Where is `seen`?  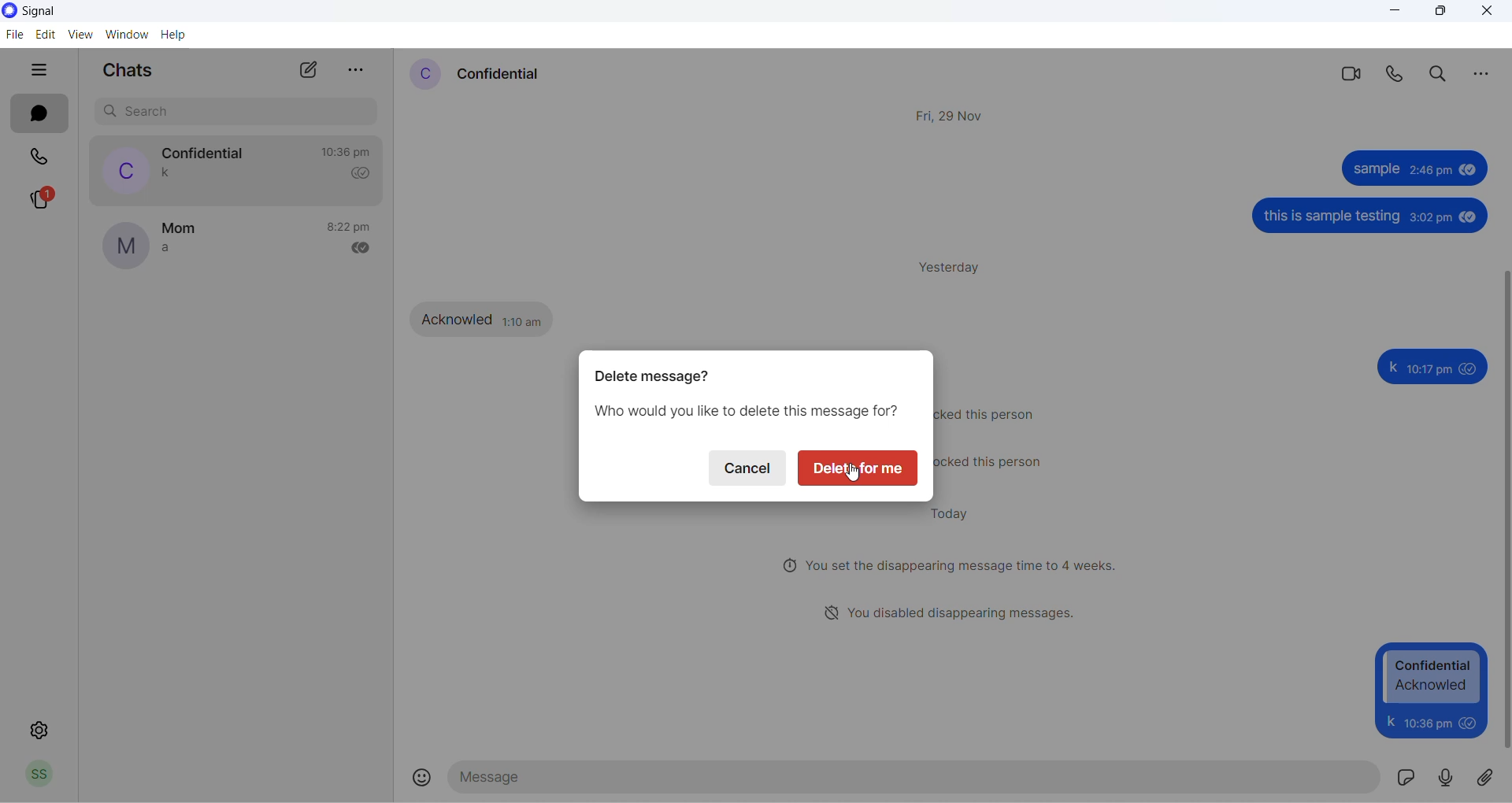 seen is located at coordinates (1470, 169).